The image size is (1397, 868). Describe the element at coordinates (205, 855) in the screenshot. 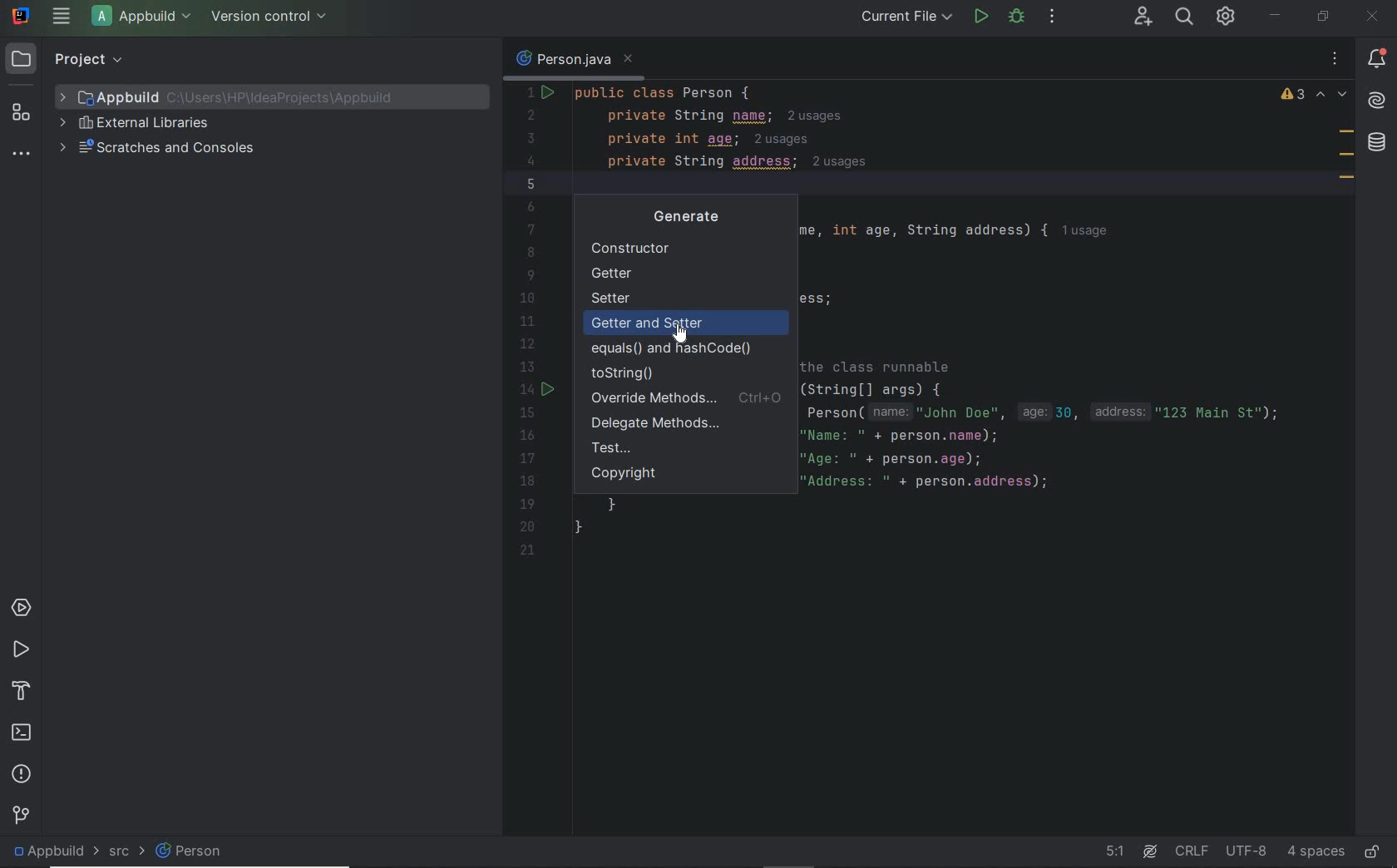

I see `person` at that location.